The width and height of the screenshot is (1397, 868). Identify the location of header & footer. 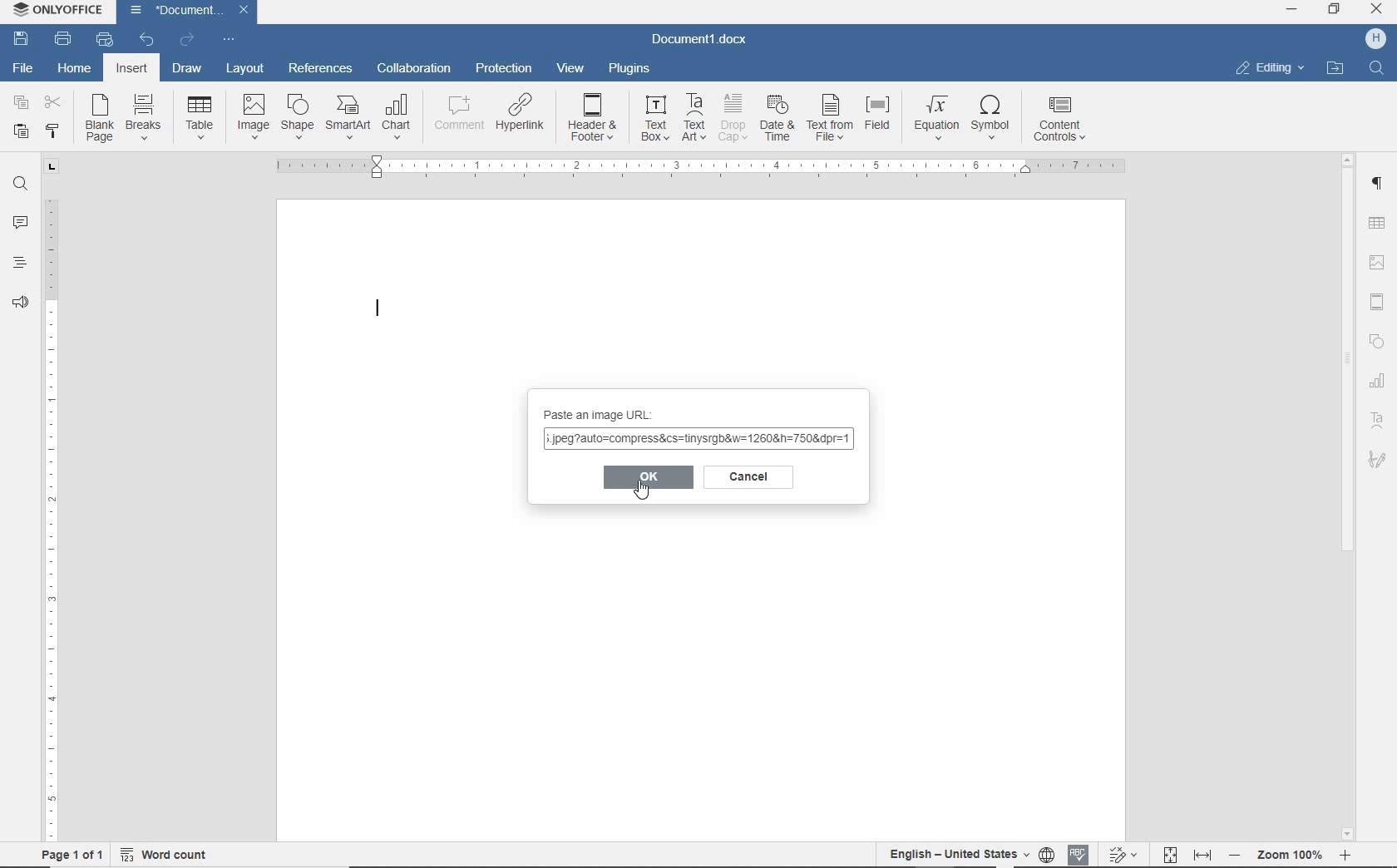
(1378, 300).